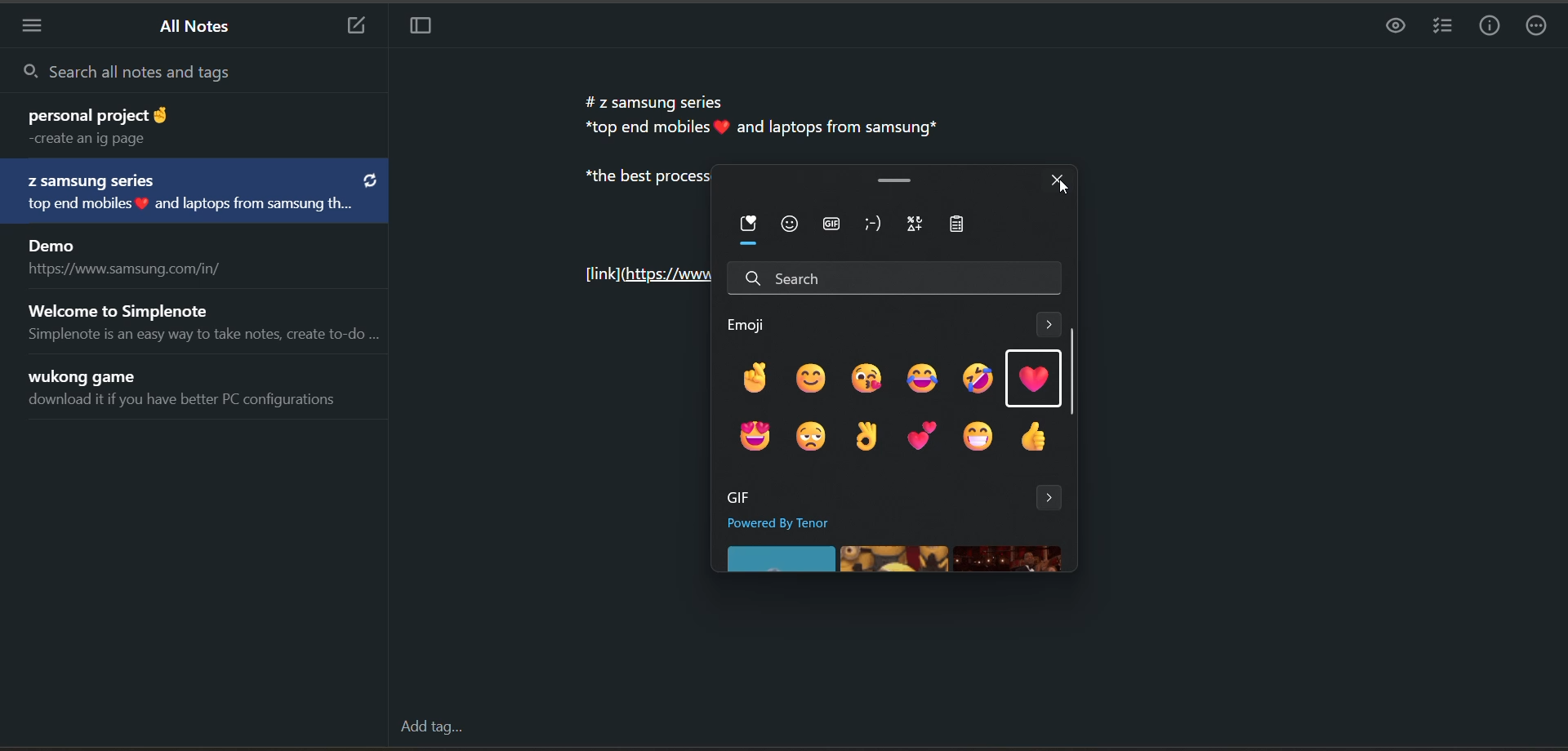  Describe the element at coordinates (724, 127) in the screenshot. I see `emoji added` at that location.